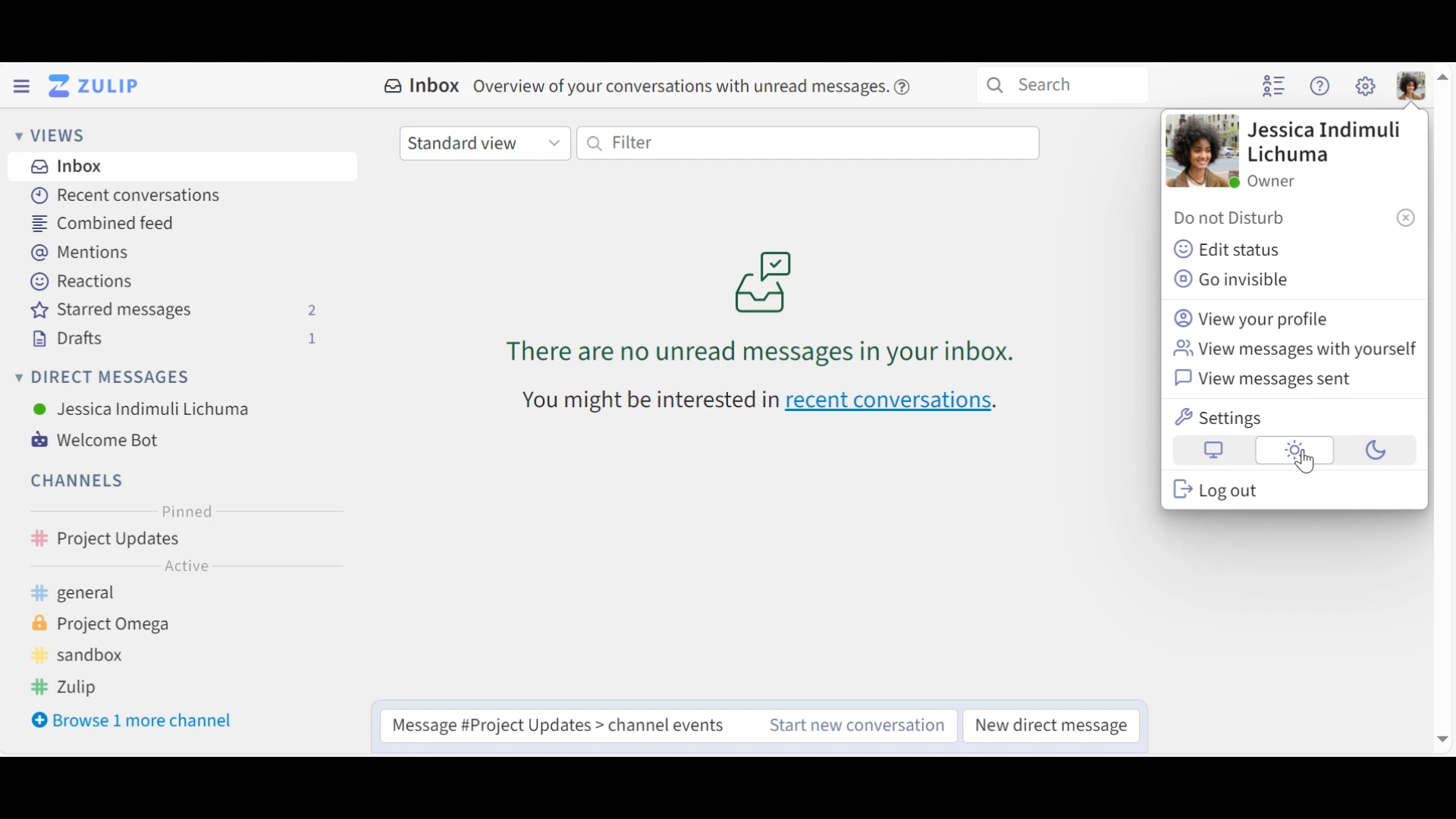 Image resolution: width=1456 pixels, height=819 pixels. I want to click on Jessica Indimuli Lichuma, so click(1323, 144).